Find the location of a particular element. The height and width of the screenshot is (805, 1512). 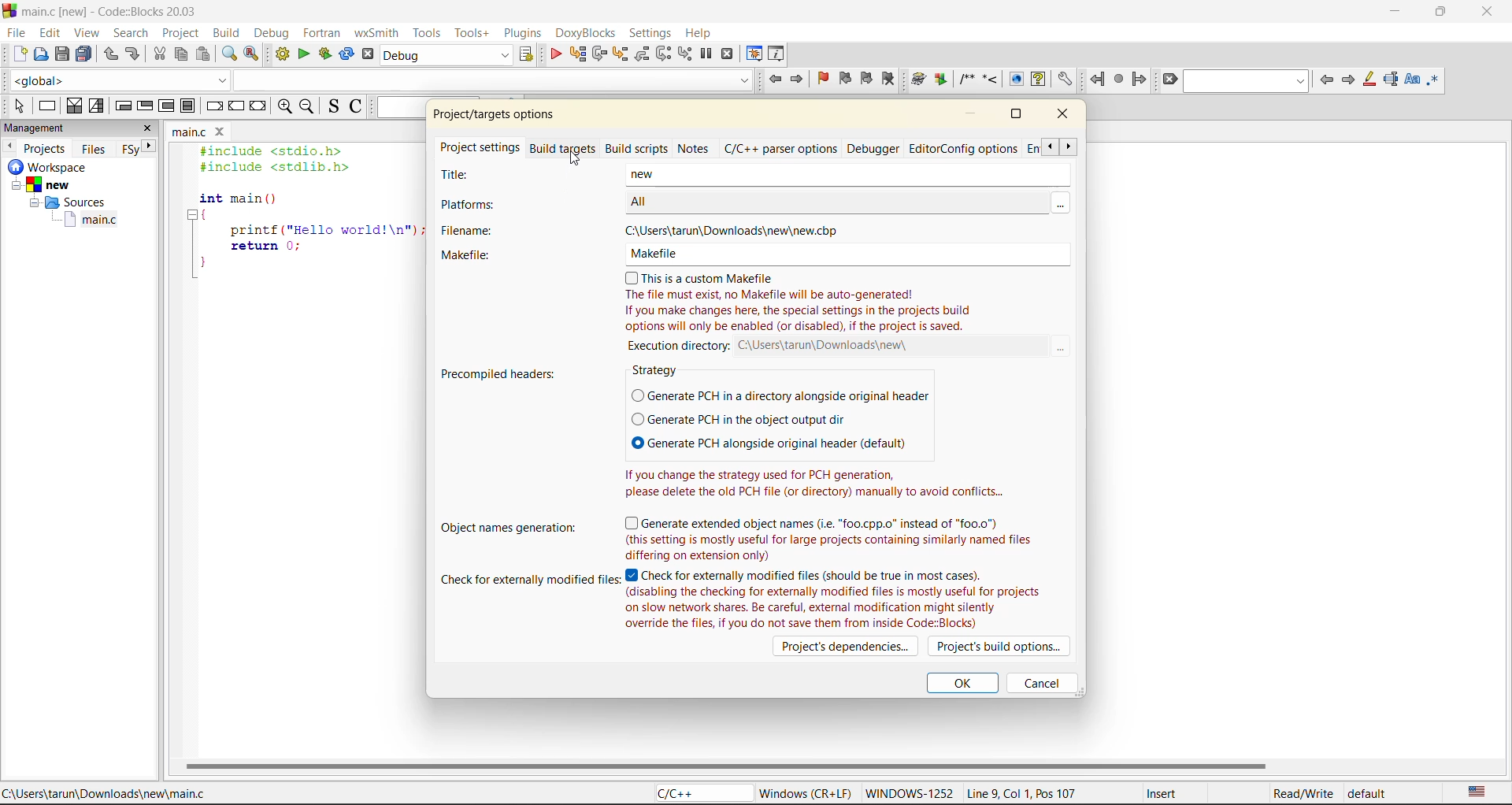

foxtran is located at coordinates (324, 34).